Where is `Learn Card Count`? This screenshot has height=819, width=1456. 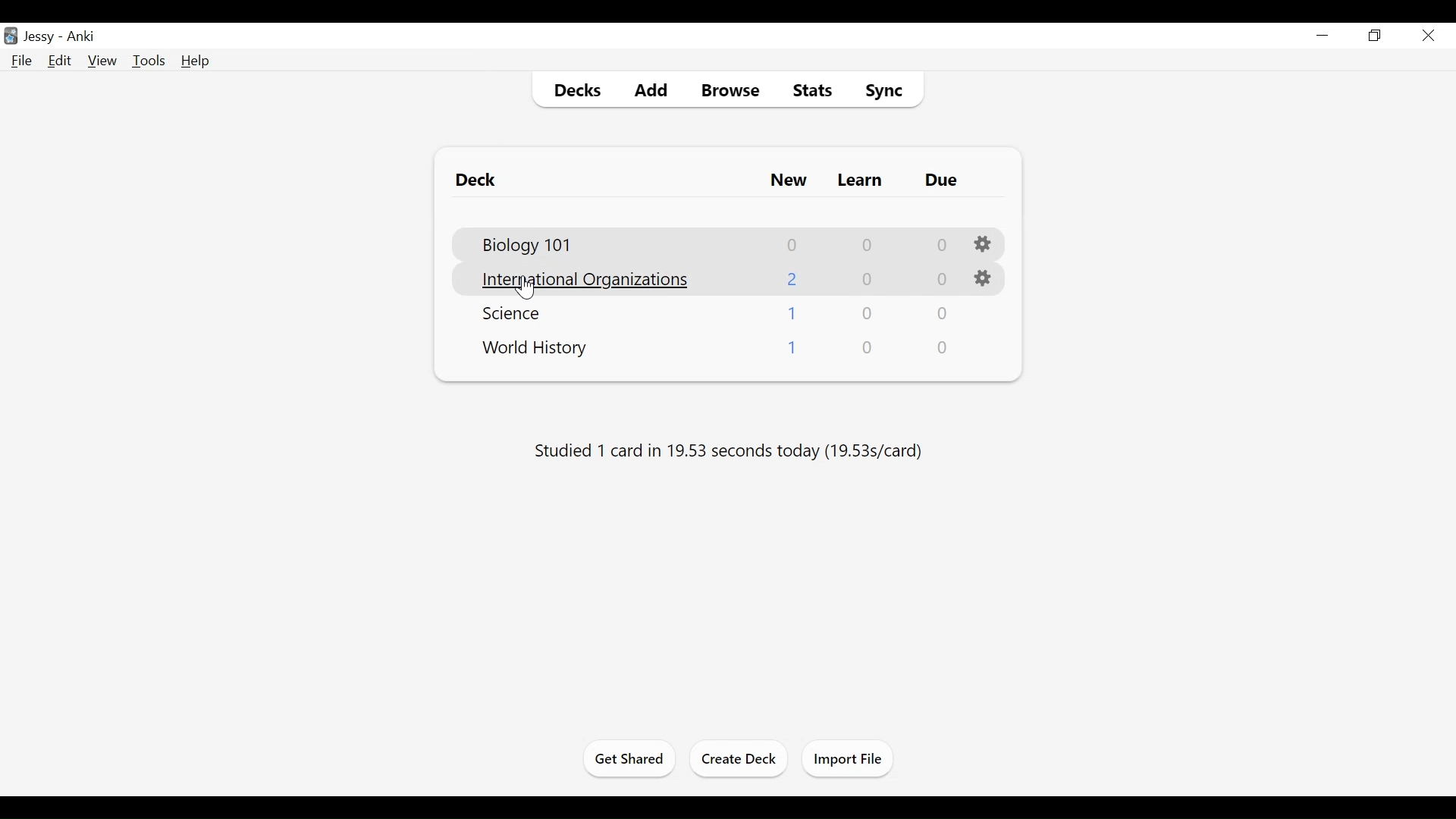
Learn Card Count is located at coordinates (868, 278).